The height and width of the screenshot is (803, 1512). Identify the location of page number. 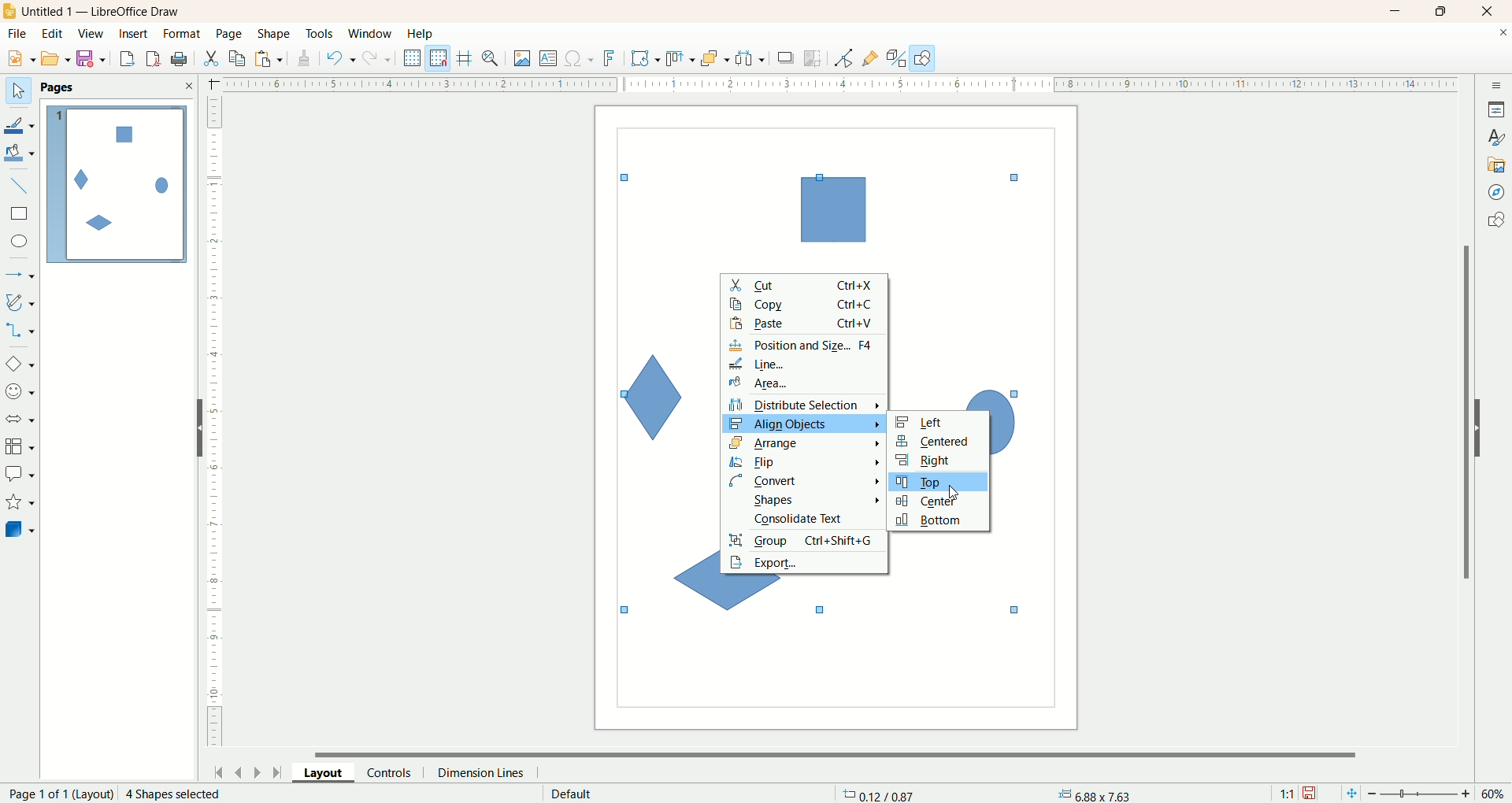
(57, 794).